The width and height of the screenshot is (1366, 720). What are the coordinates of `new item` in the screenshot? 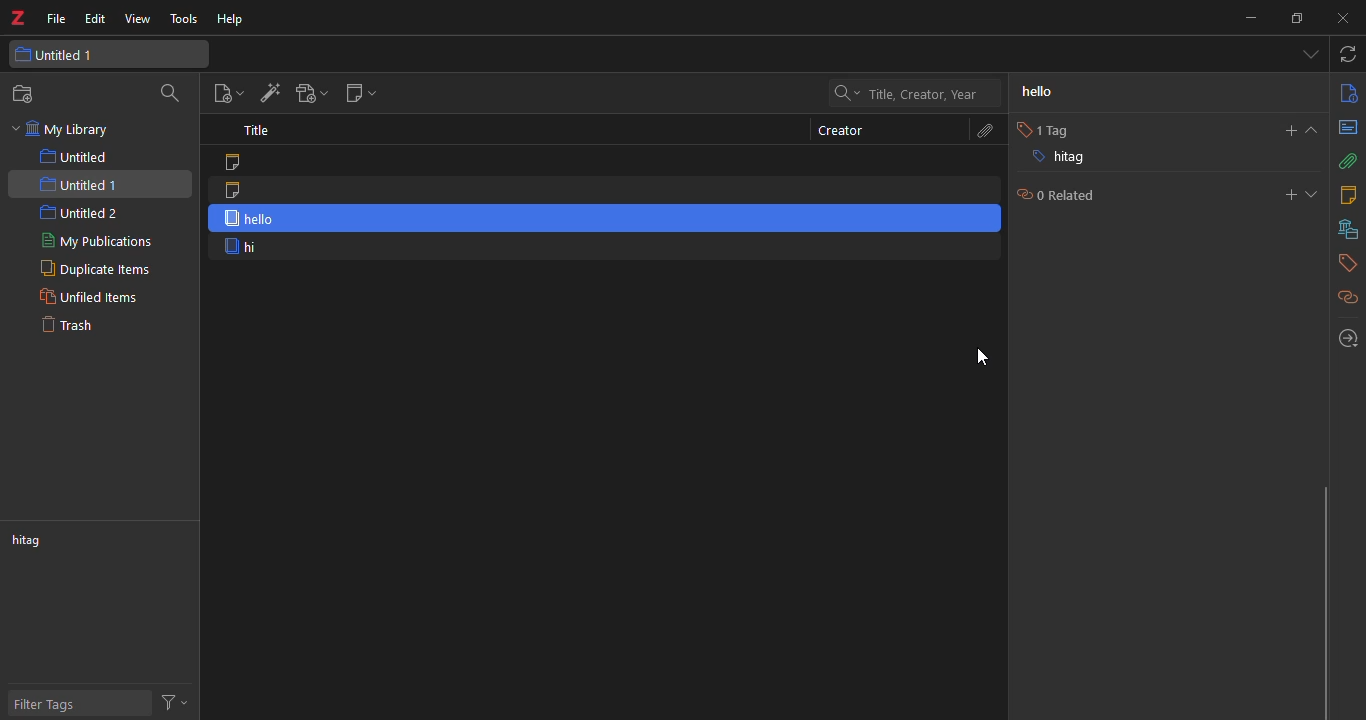 It's located at (228, 92).